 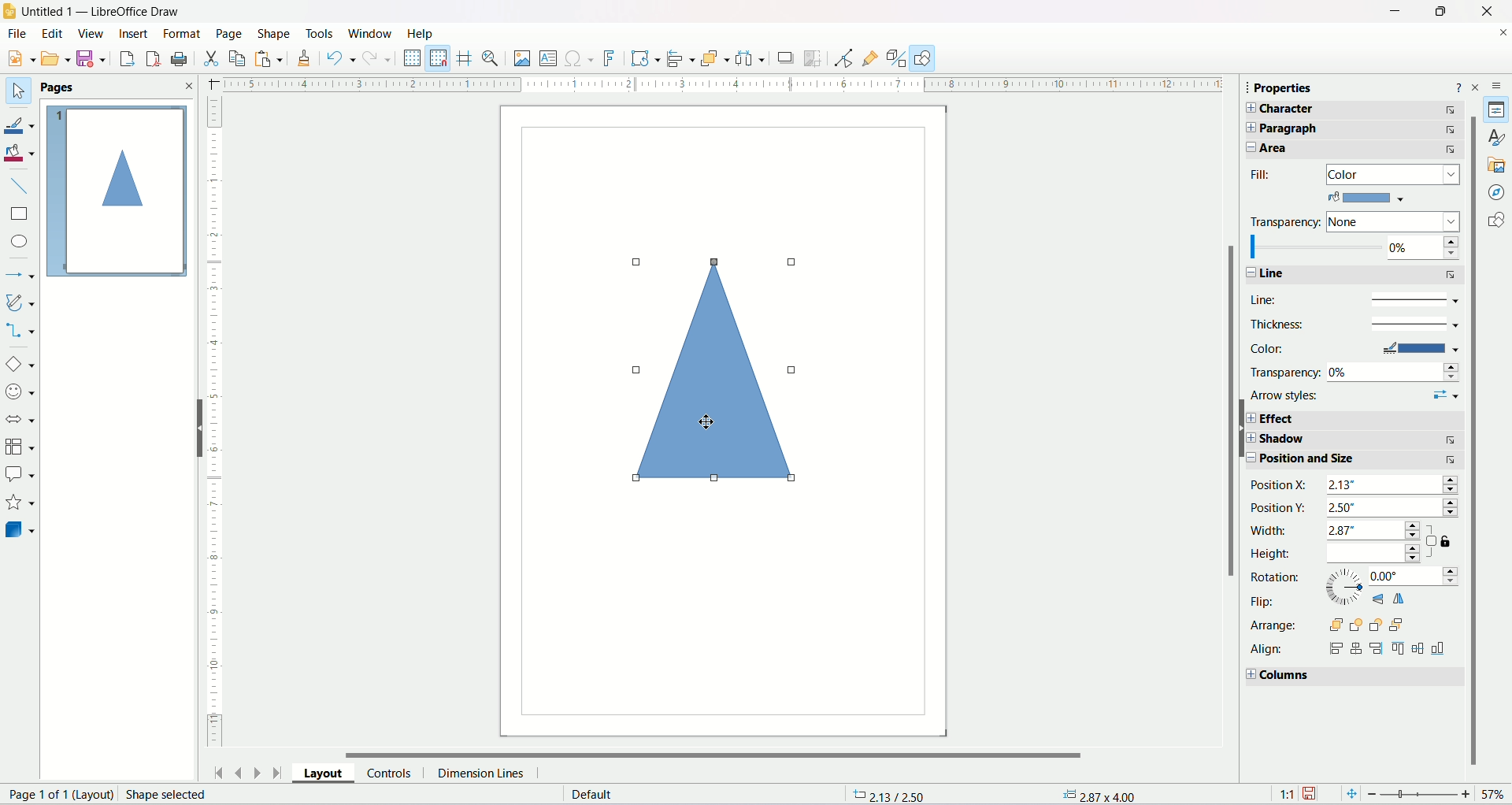 I want to click on color, so click(x=1372, y=199).